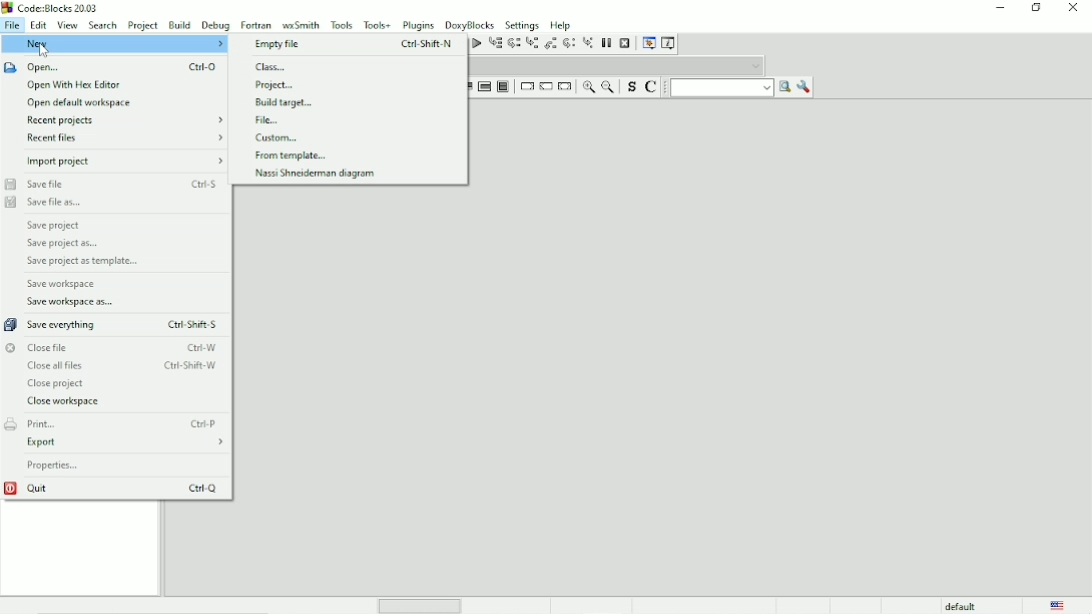 The width and height of the screenshot is (1092, 614). I want to click on Break instruction, so click(525, 86).